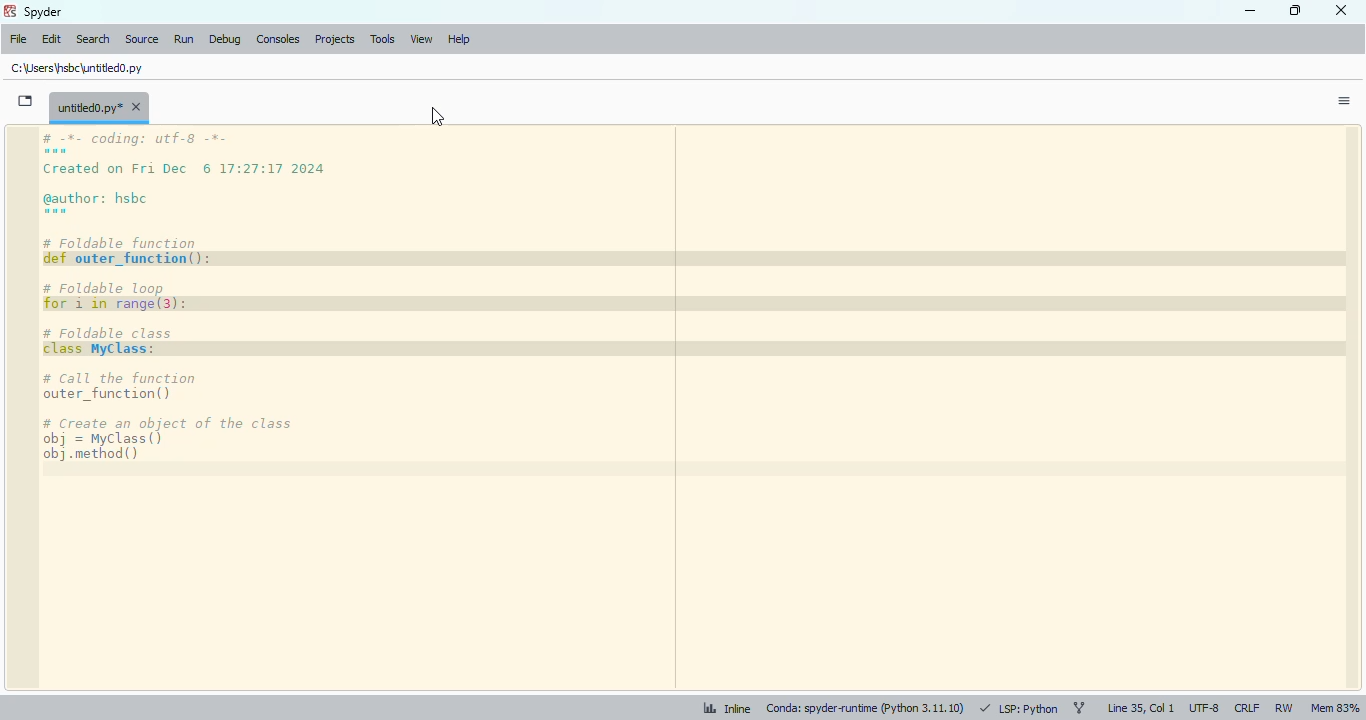 This screenshot has width=1366, height=720. Describe the element at coordinates (1246, 708) in the screenshot. I see `CRLF` at that location.